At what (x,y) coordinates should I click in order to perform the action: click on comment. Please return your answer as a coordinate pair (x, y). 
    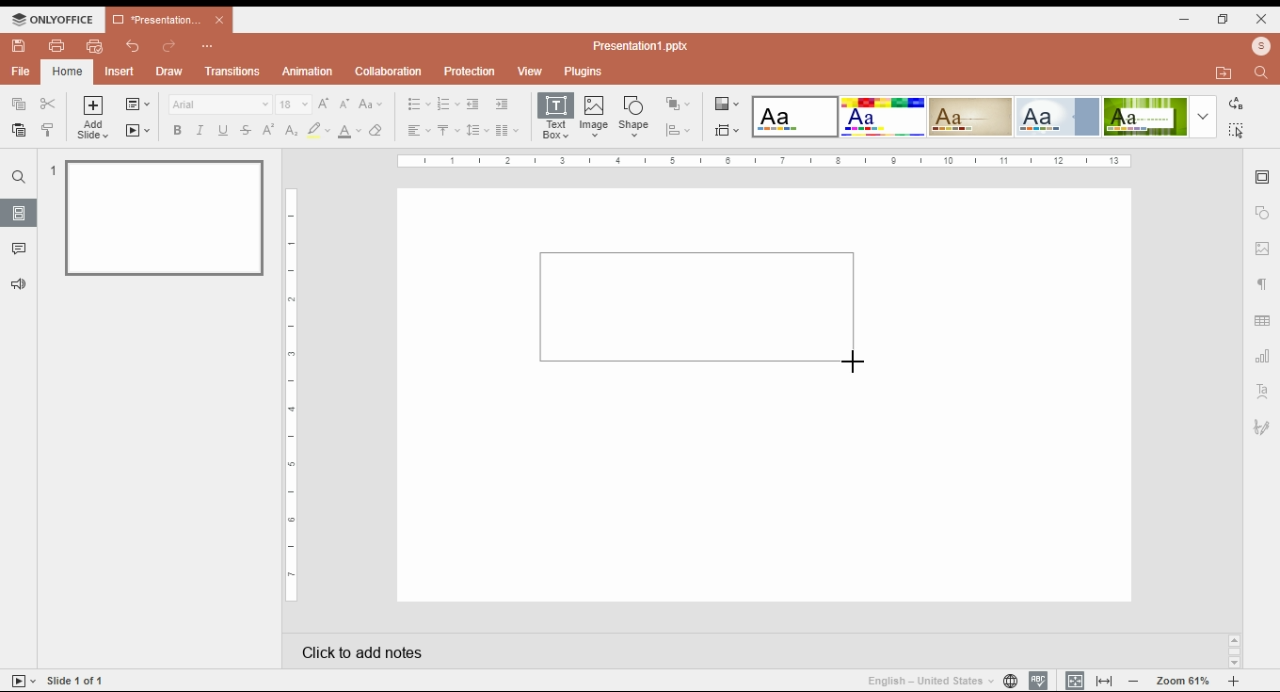
    Looking at the image, I should click on (21, 250).